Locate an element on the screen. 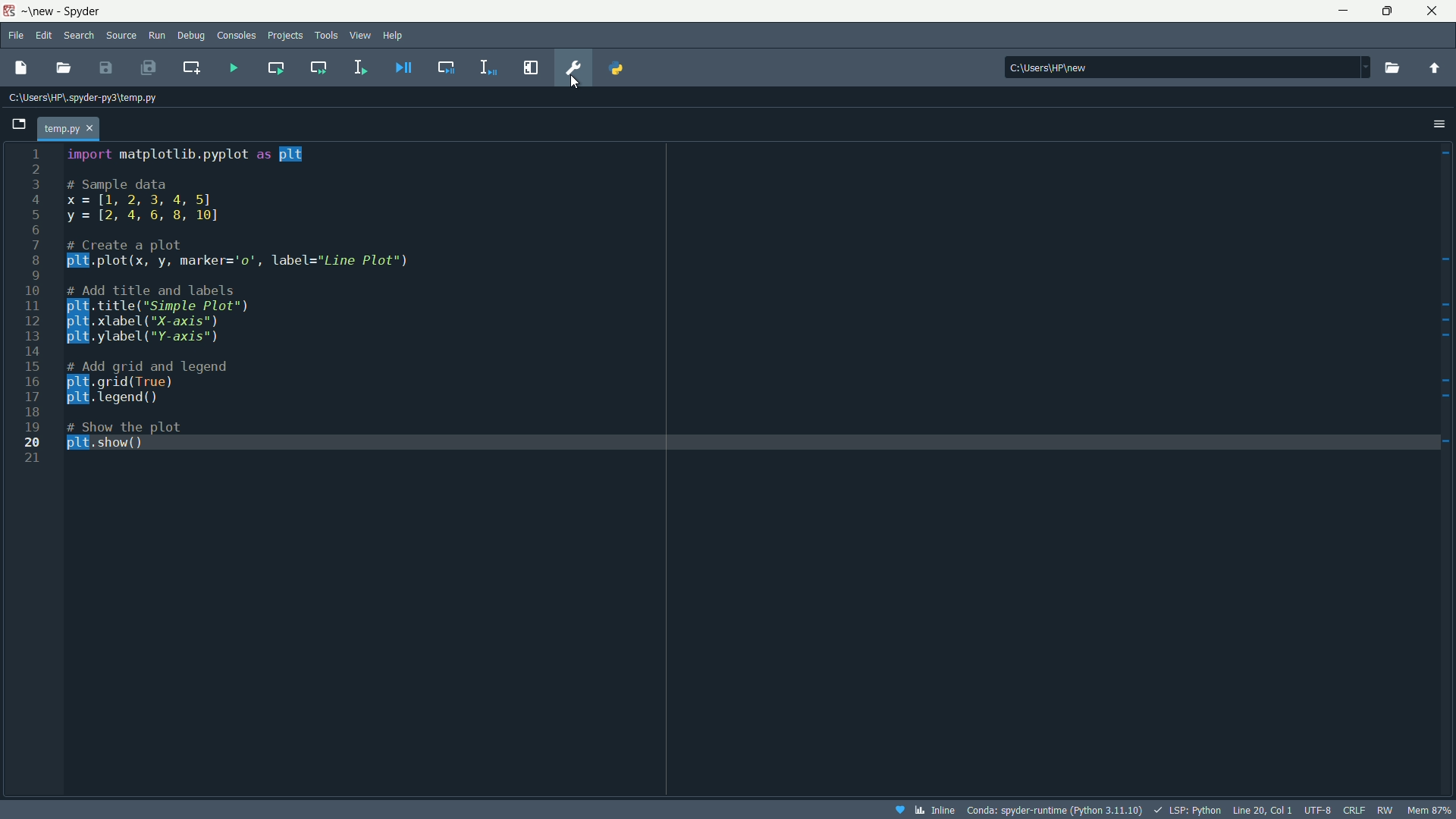  file eol status is located at coordinates (1352, 811).